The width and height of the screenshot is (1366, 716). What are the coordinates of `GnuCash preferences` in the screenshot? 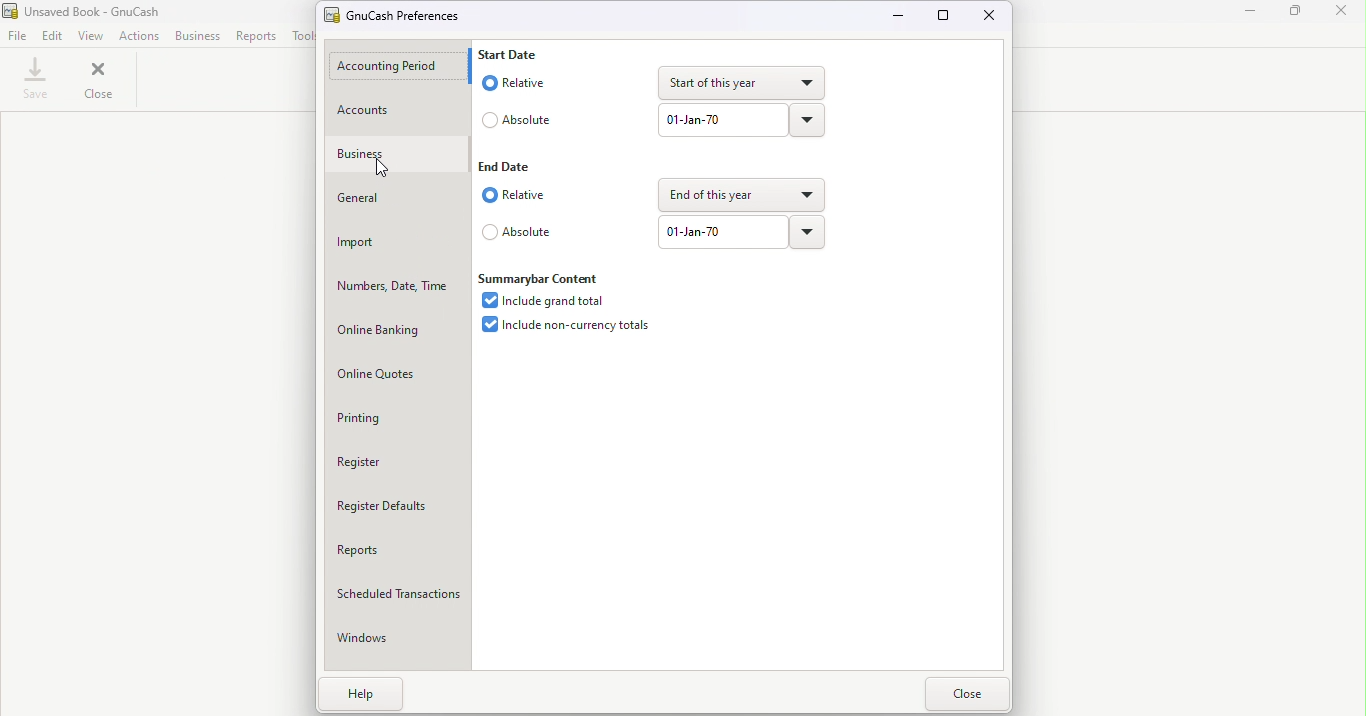 It's located at (397, 15).